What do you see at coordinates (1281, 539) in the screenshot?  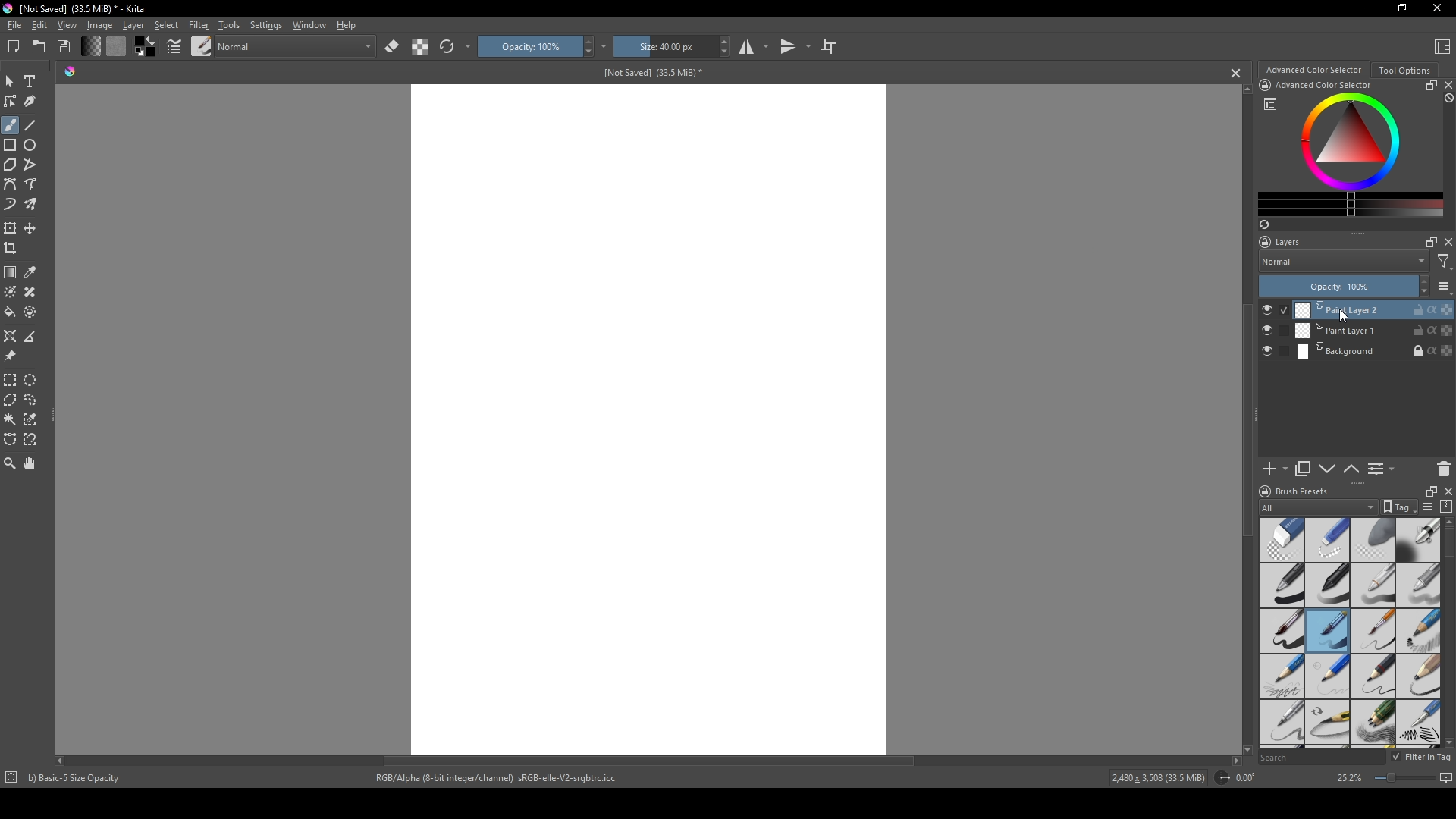 I see `standard eraser` at bounding box center [1281, 539].